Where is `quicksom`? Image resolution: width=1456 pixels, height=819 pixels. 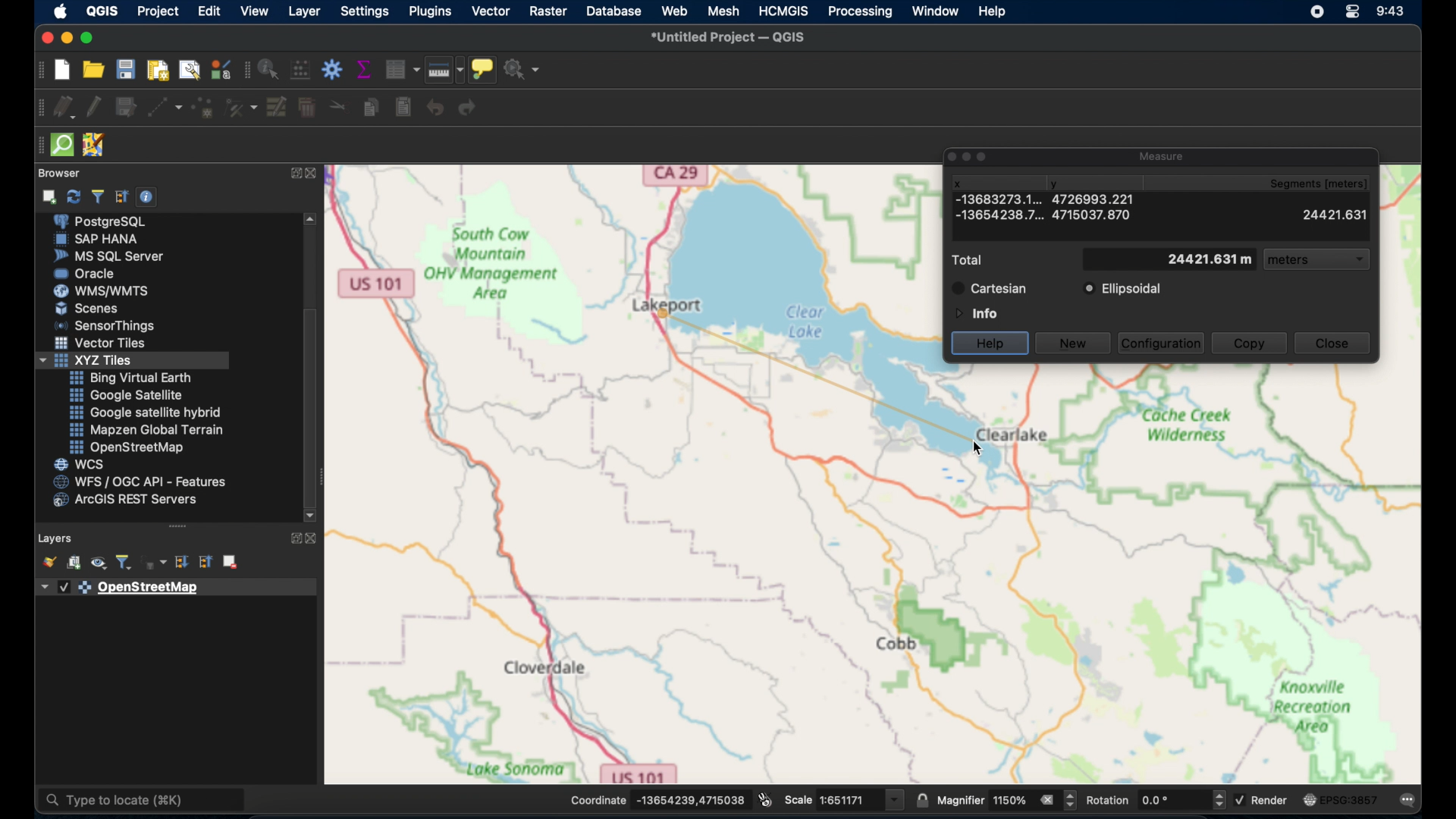 quicksom is located at coordinates (63, 144).